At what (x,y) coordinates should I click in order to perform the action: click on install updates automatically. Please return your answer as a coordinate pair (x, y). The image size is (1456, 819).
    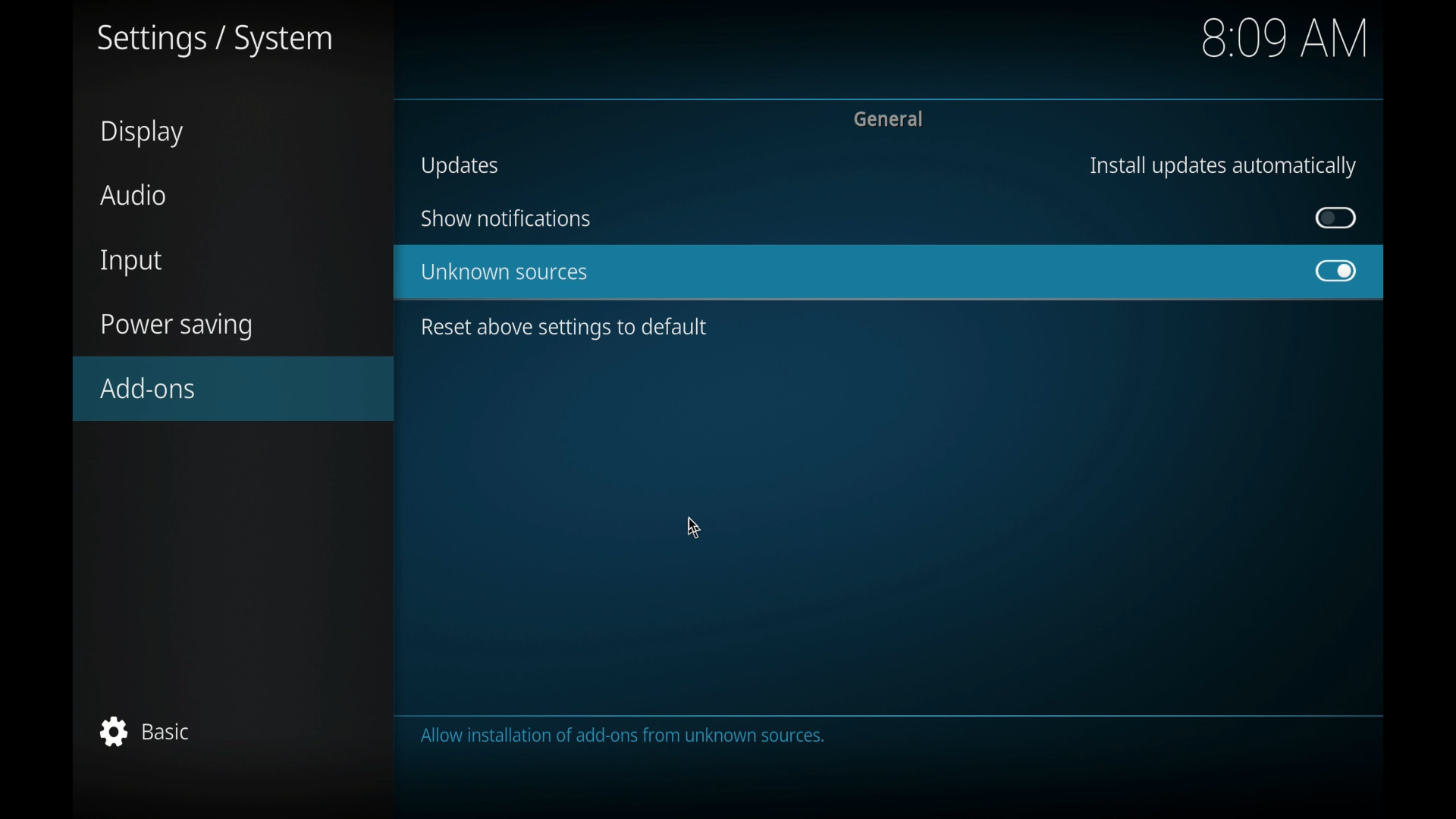
    Looking at the image, I should click on (1222, 166).